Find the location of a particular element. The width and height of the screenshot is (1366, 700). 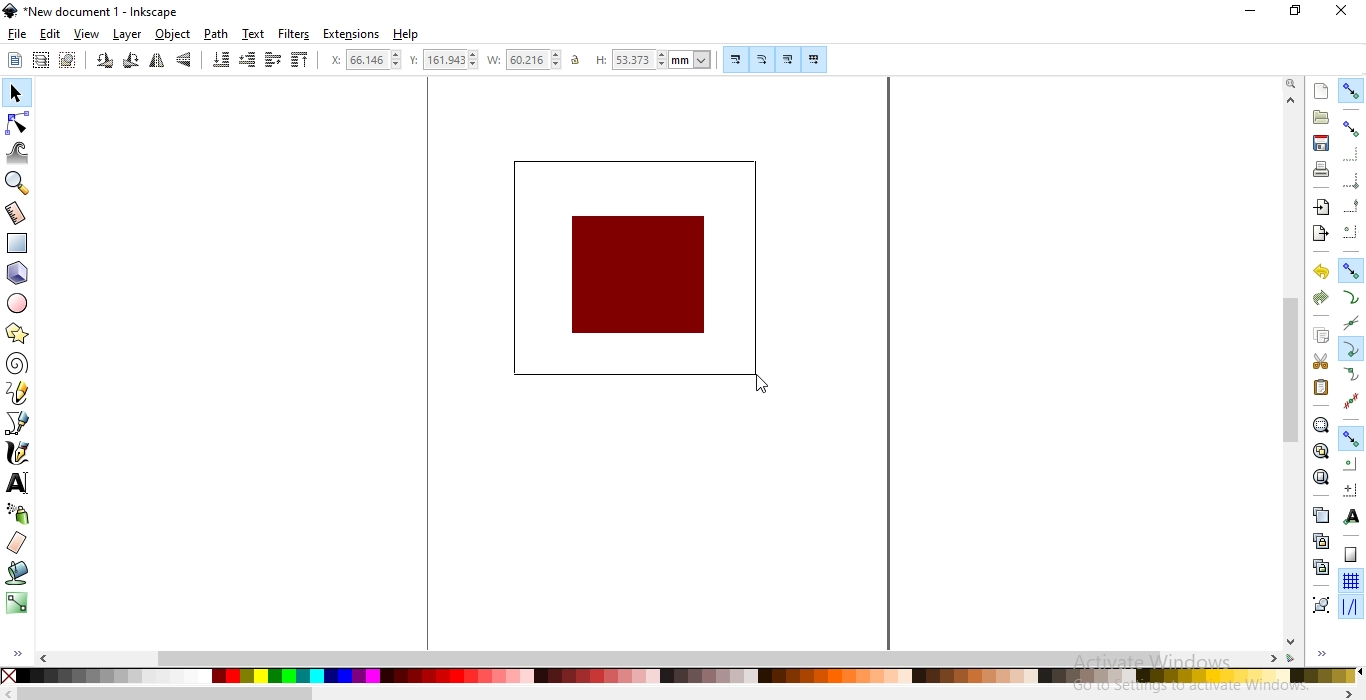

snap bounding box corners is located at coordinates (1352, 183).